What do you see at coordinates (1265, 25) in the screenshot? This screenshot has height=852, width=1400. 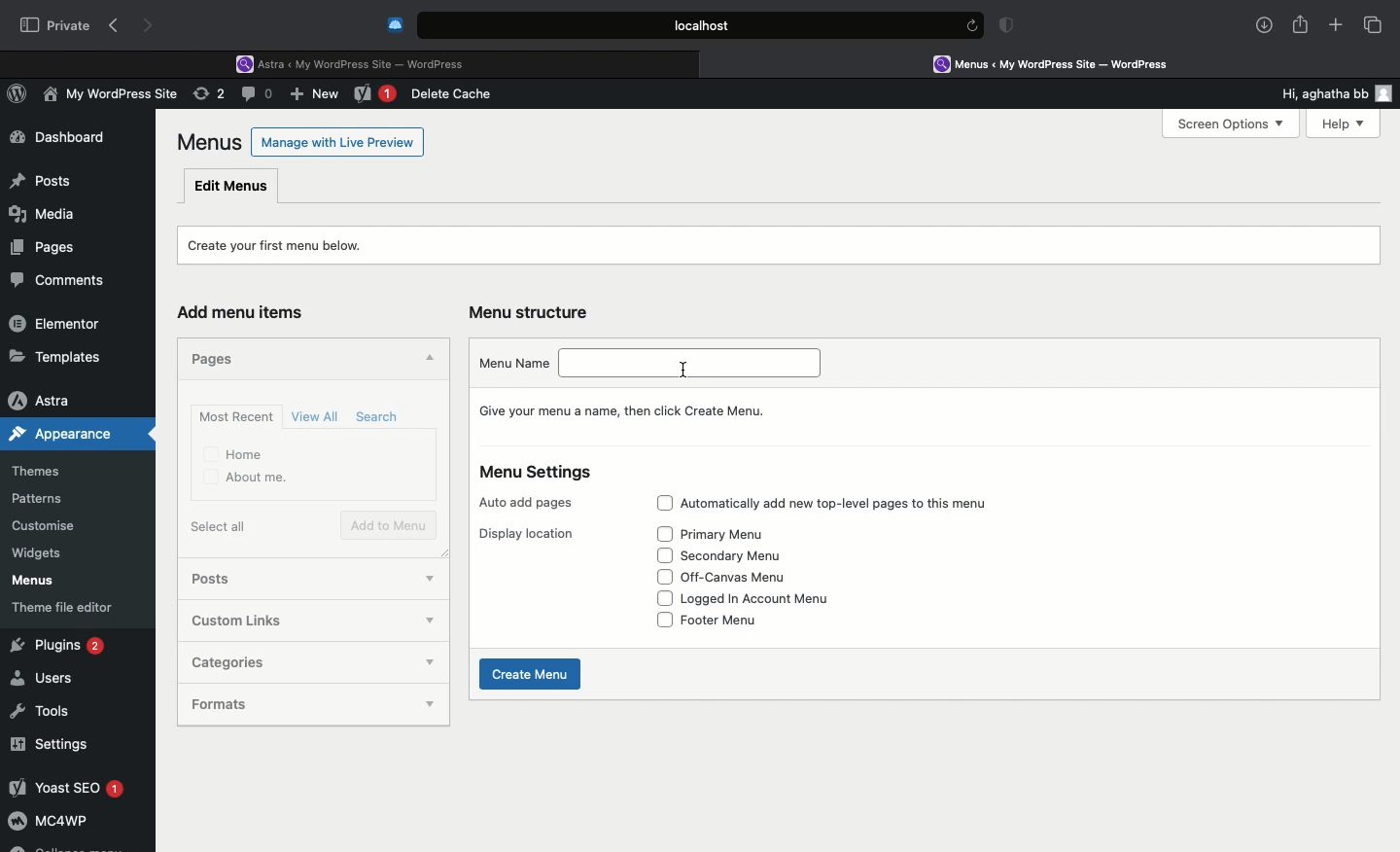 I see `Download` at bounding box center [1265, 25].